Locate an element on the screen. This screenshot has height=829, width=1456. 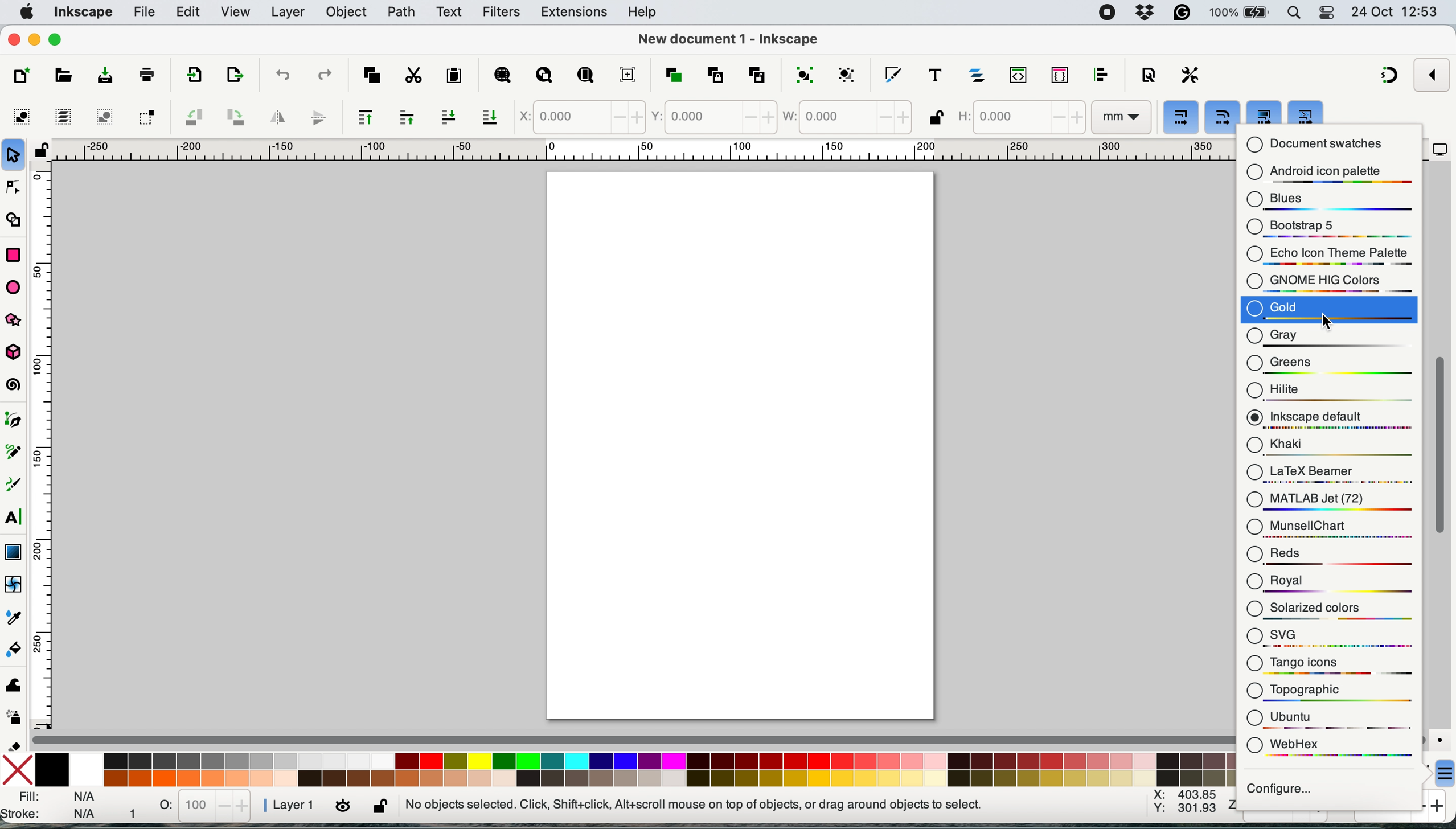
selectors and css is located at coordinates (1059, 76).